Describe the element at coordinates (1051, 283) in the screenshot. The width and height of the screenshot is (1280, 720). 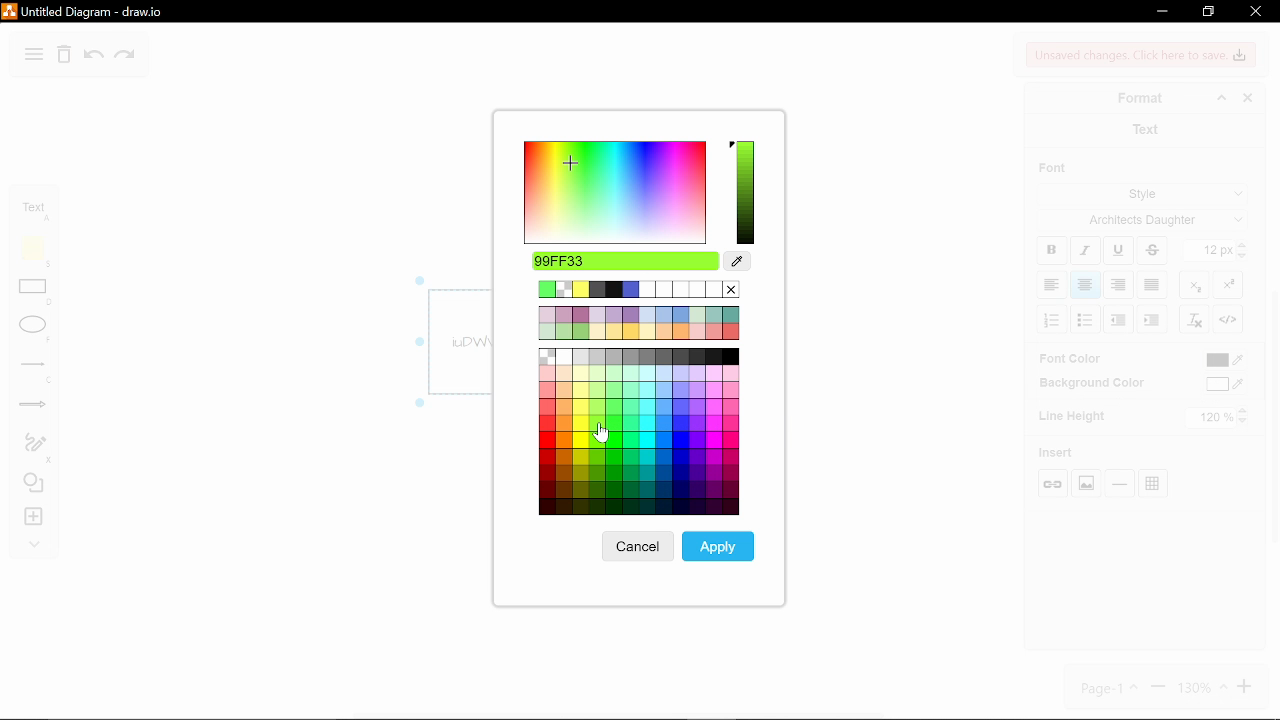
I see `align left` at that location.